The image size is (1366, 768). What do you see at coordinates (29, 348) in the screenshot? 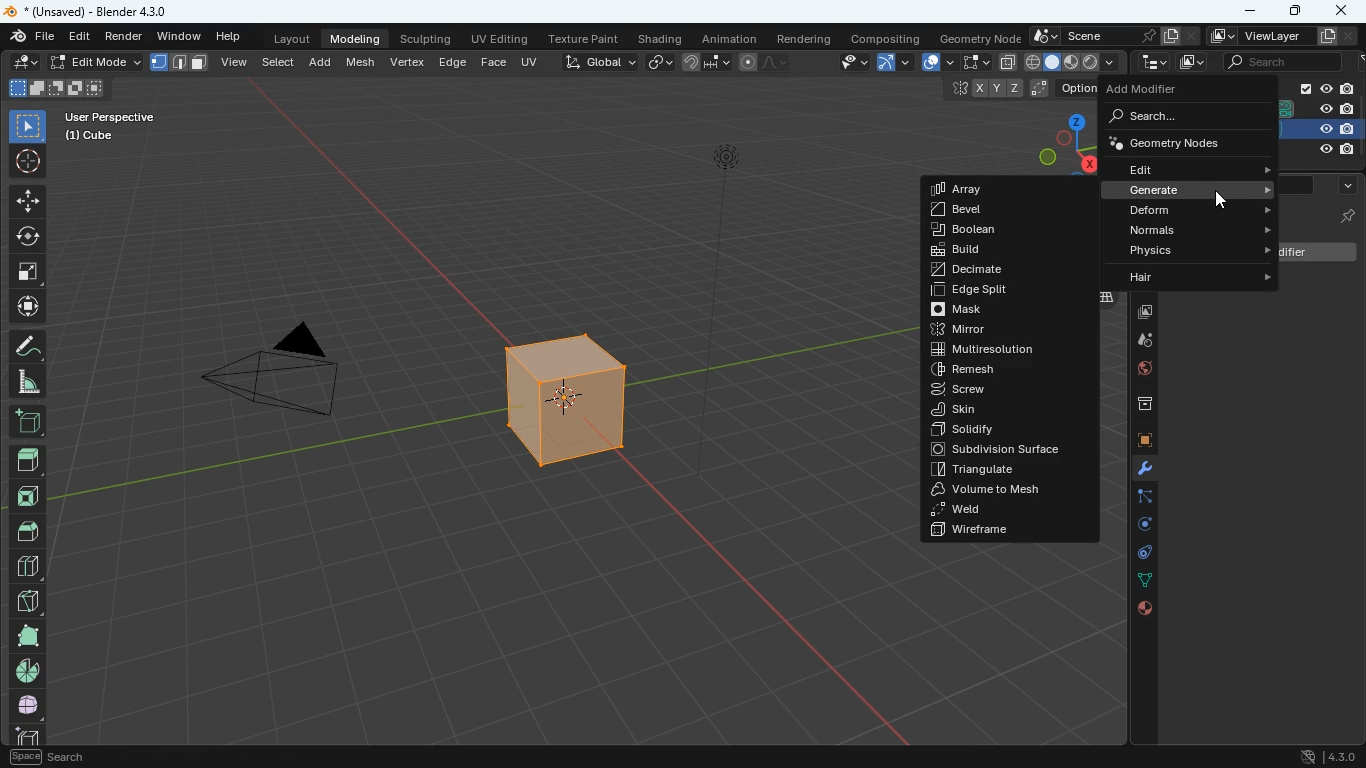
I see `draw` at bounding box center [29, 348].